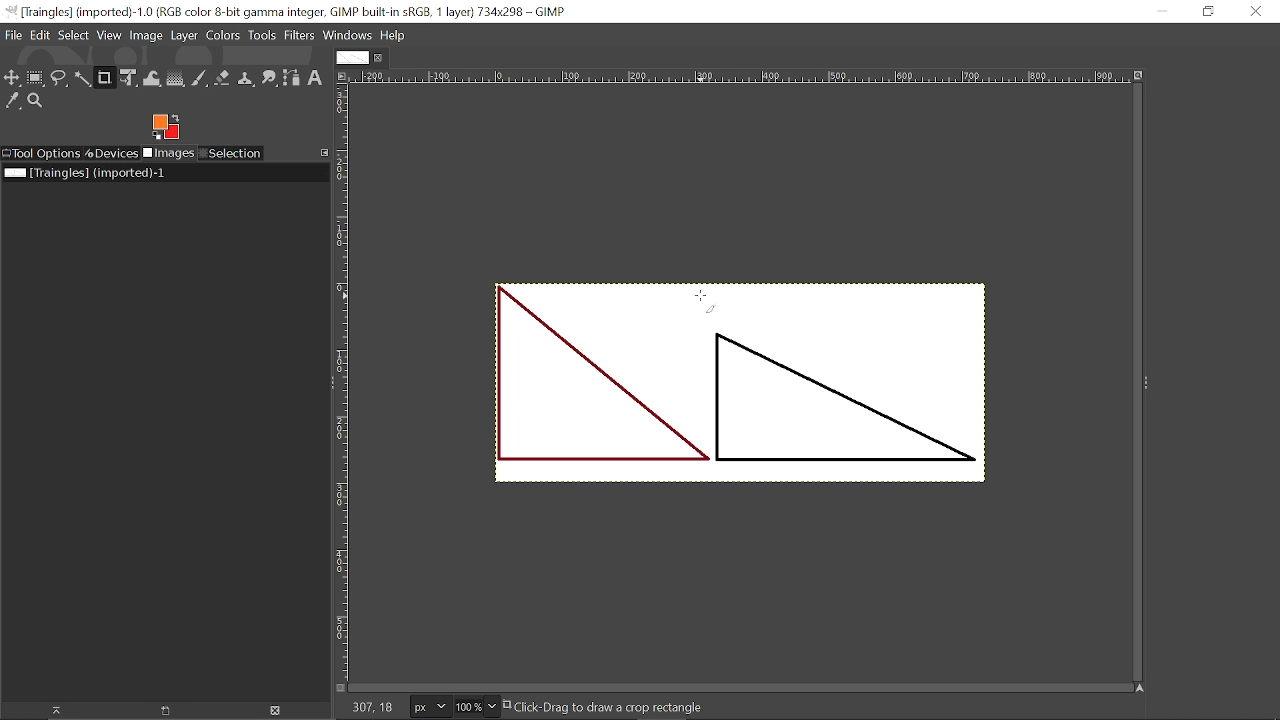 This screenshot has width=1280, height=720. Describe the element at coordinates (339, 688) in the screenshot. I see `Quick view mask on/off` at that location.